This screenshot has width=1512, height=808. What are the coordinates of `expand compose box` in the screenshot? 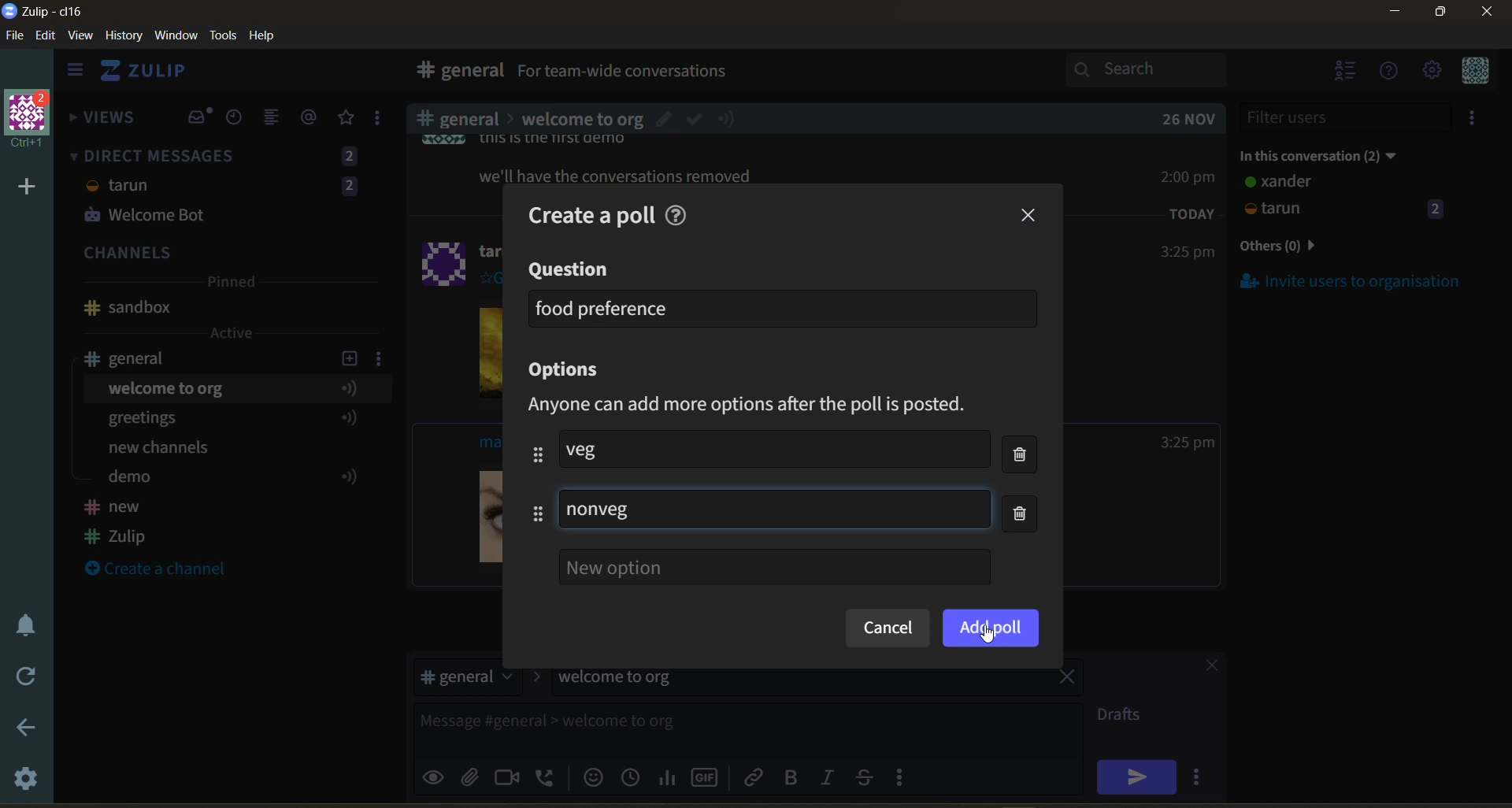 It's located at (1068, 715).